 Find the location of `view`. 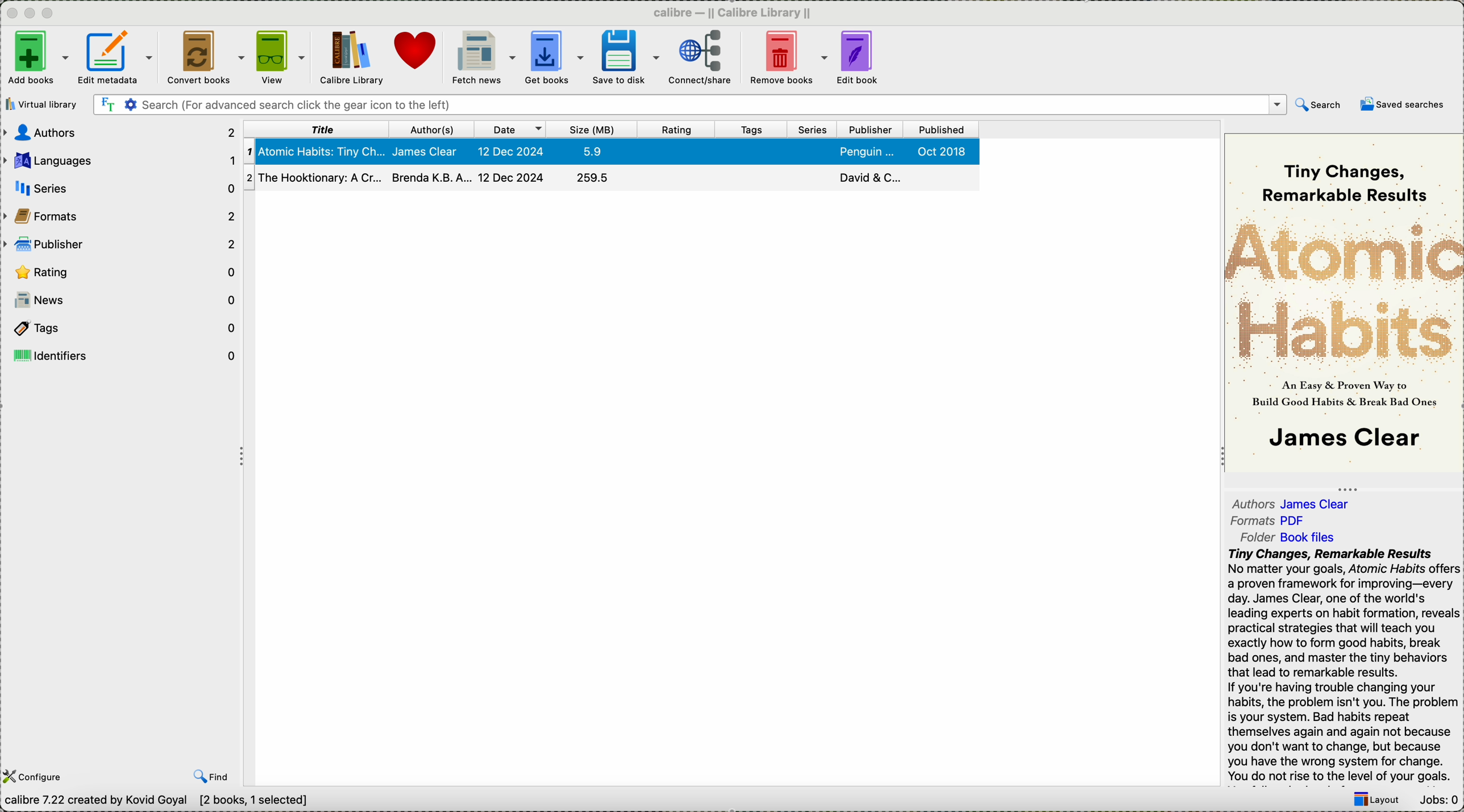

view is located at coordinates (280, 56).